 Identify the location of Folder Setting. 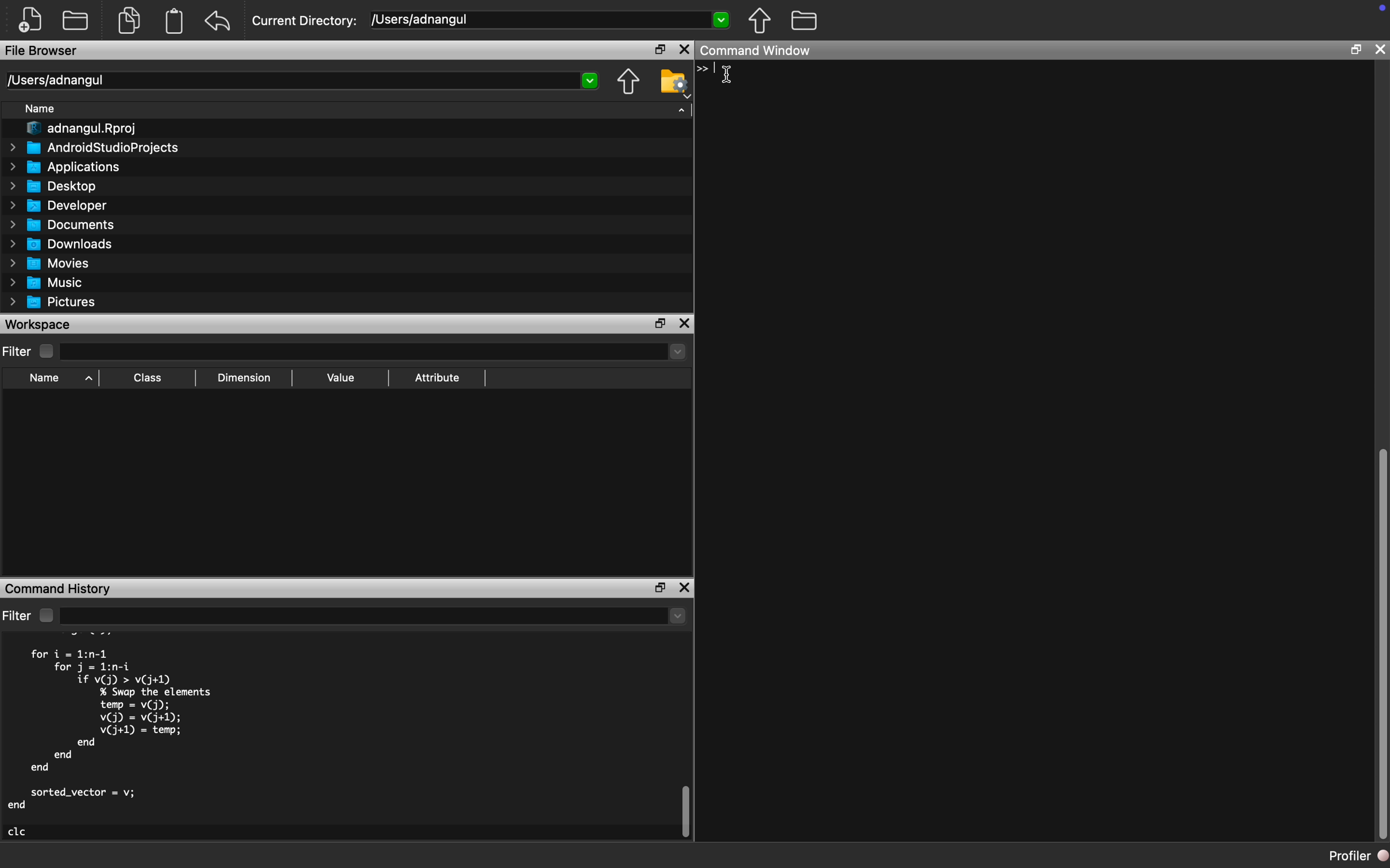
(675, 83).